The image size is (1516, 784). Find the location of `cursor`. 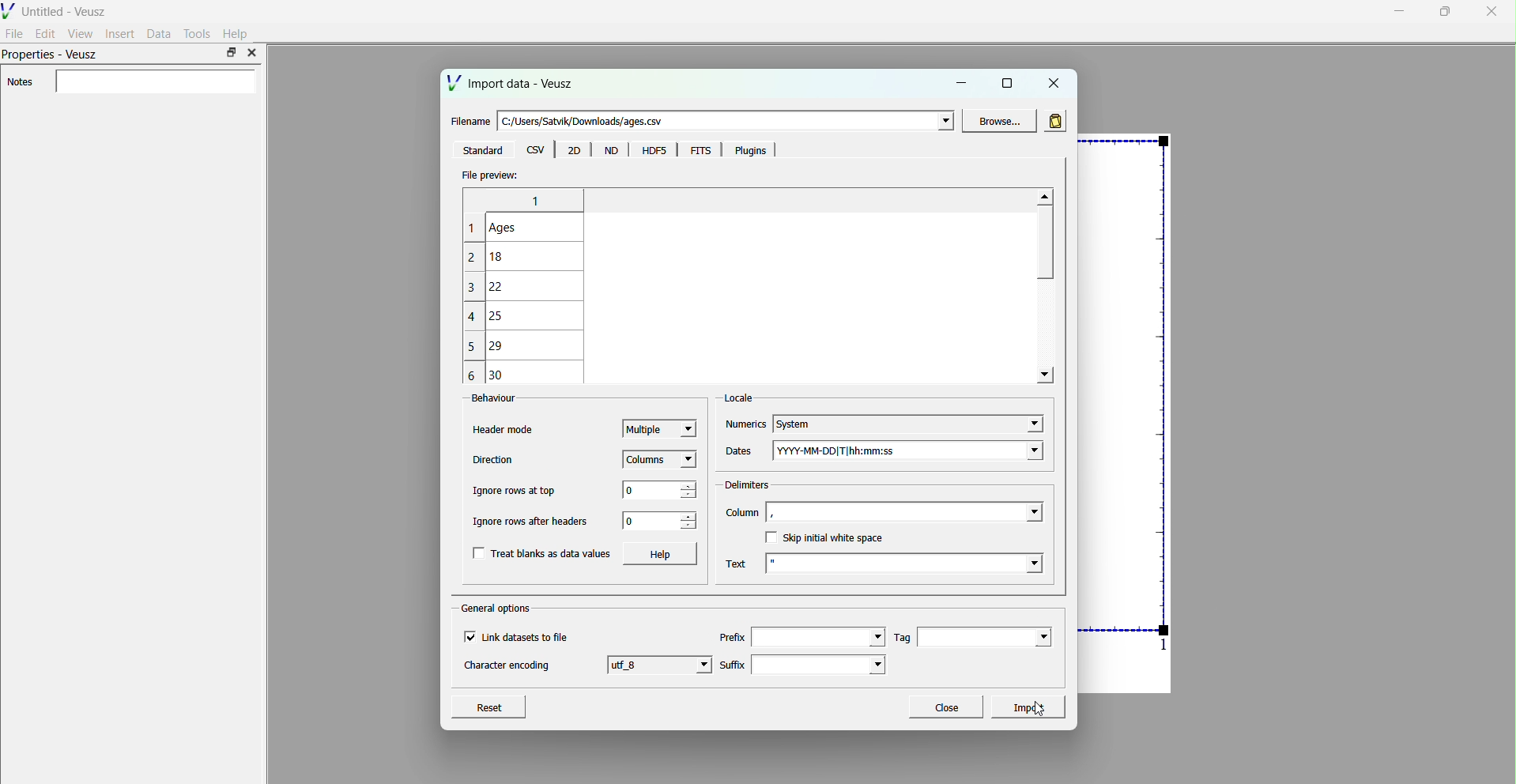

cursor is located at coordinates (1039, 707).